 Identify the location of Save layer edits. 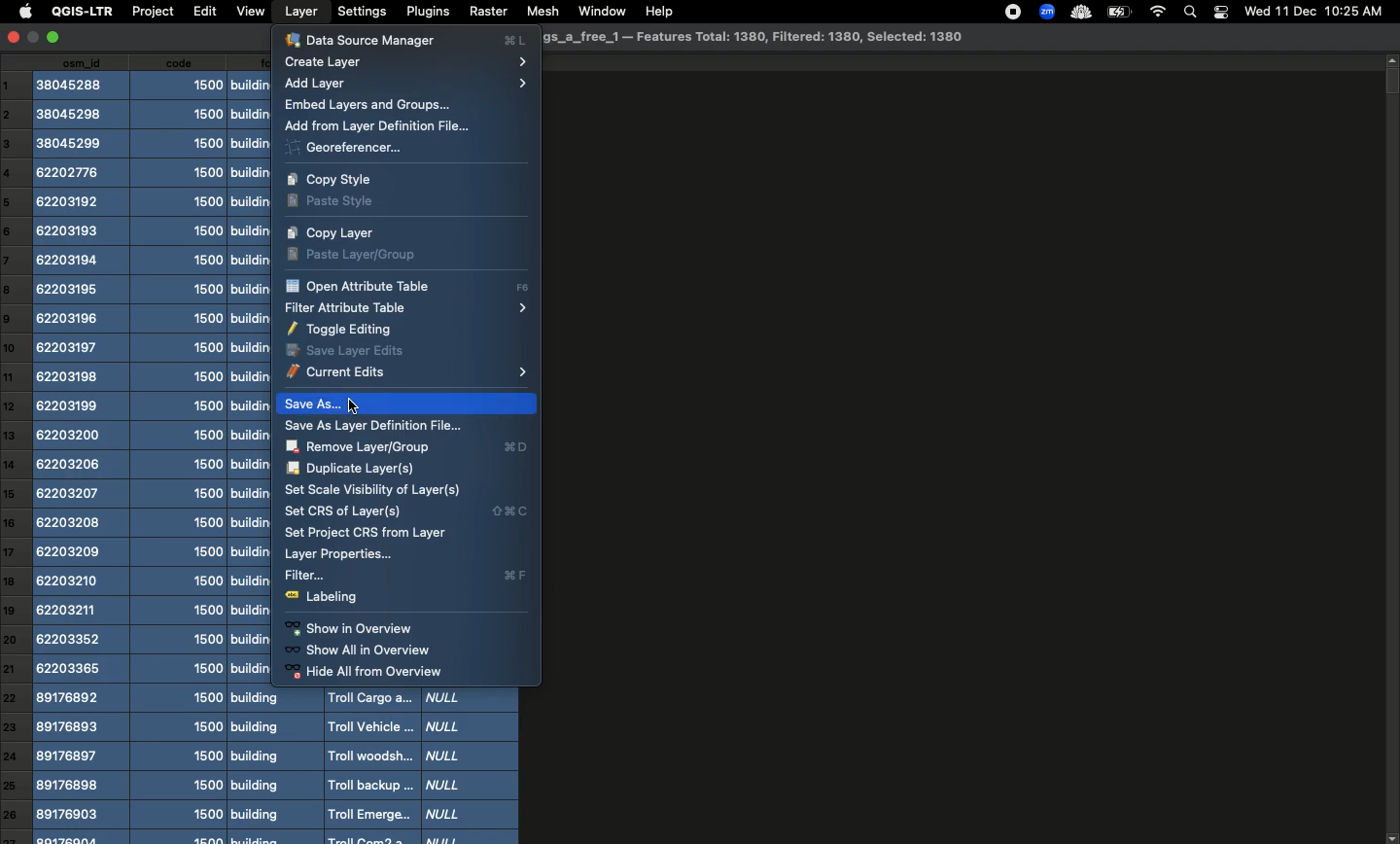
(345, 350).